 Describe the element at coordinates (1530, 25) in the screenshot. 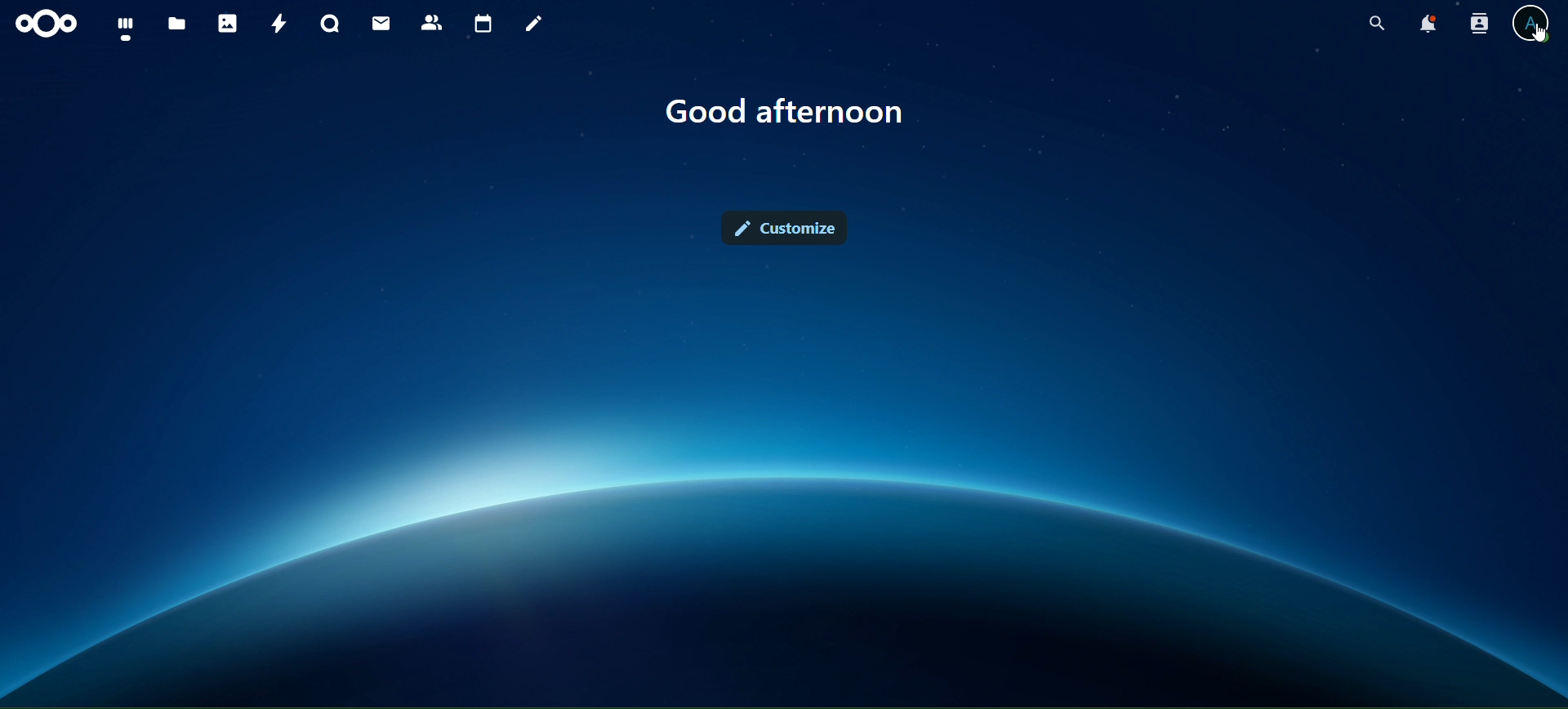

I see `view profile` at that location.